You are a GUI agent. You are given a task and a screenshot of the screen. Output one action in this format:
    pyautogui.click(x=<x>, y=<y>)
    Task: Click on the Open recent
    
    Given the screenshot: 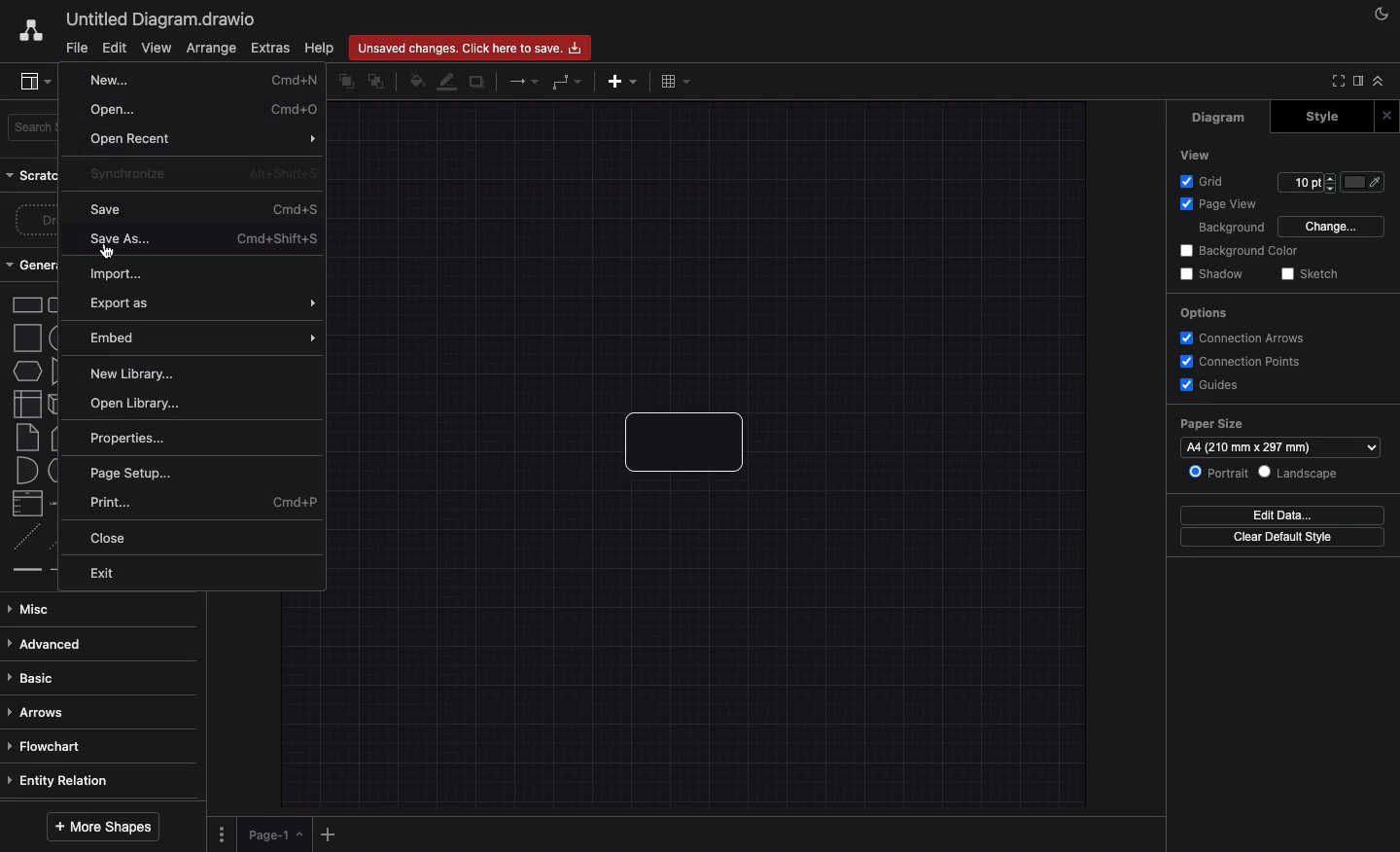 What is the action you would take?
    pyautogui.click(x=205, y=139)
    